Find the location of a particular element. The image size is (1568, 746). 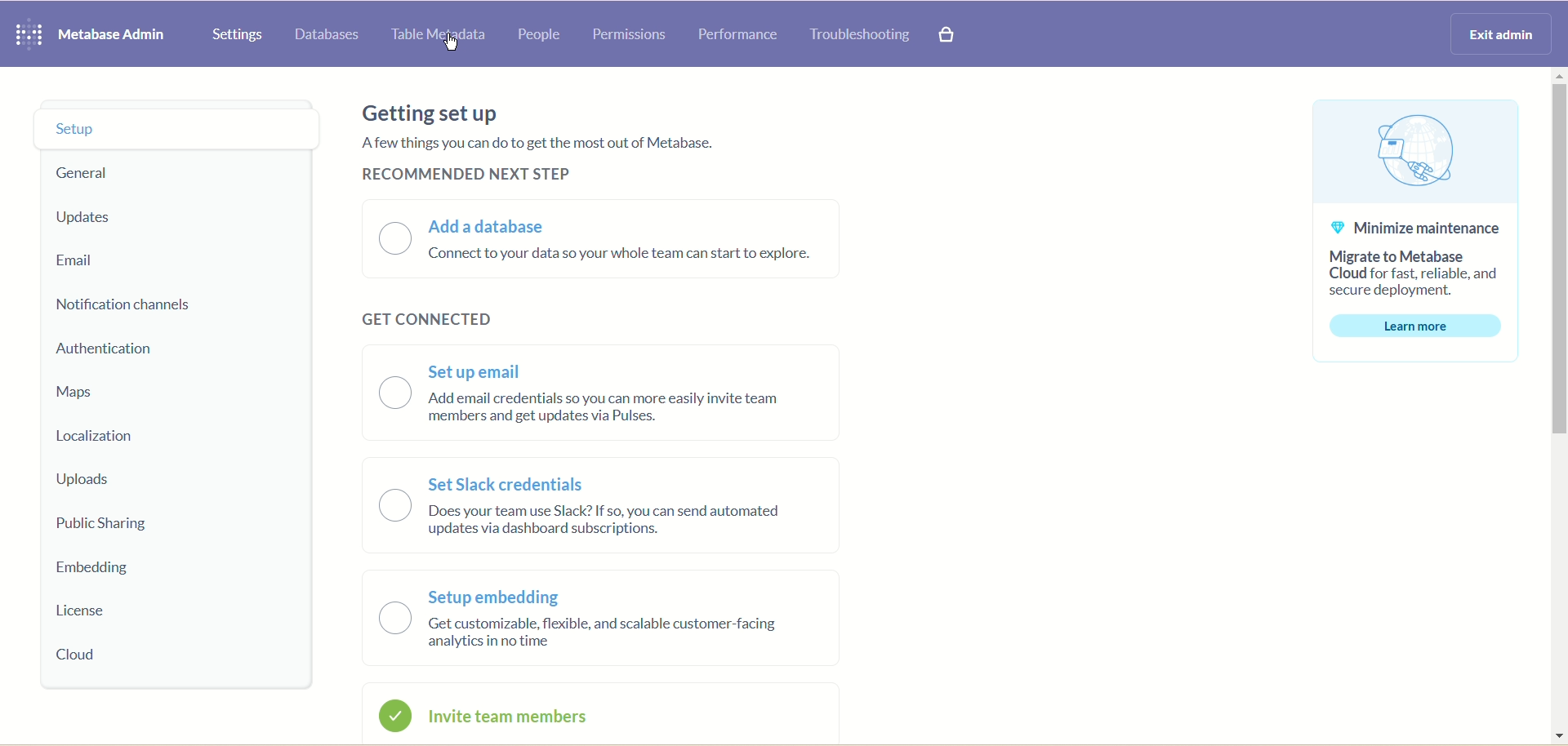

get connected is located at coordinates (433, 319).